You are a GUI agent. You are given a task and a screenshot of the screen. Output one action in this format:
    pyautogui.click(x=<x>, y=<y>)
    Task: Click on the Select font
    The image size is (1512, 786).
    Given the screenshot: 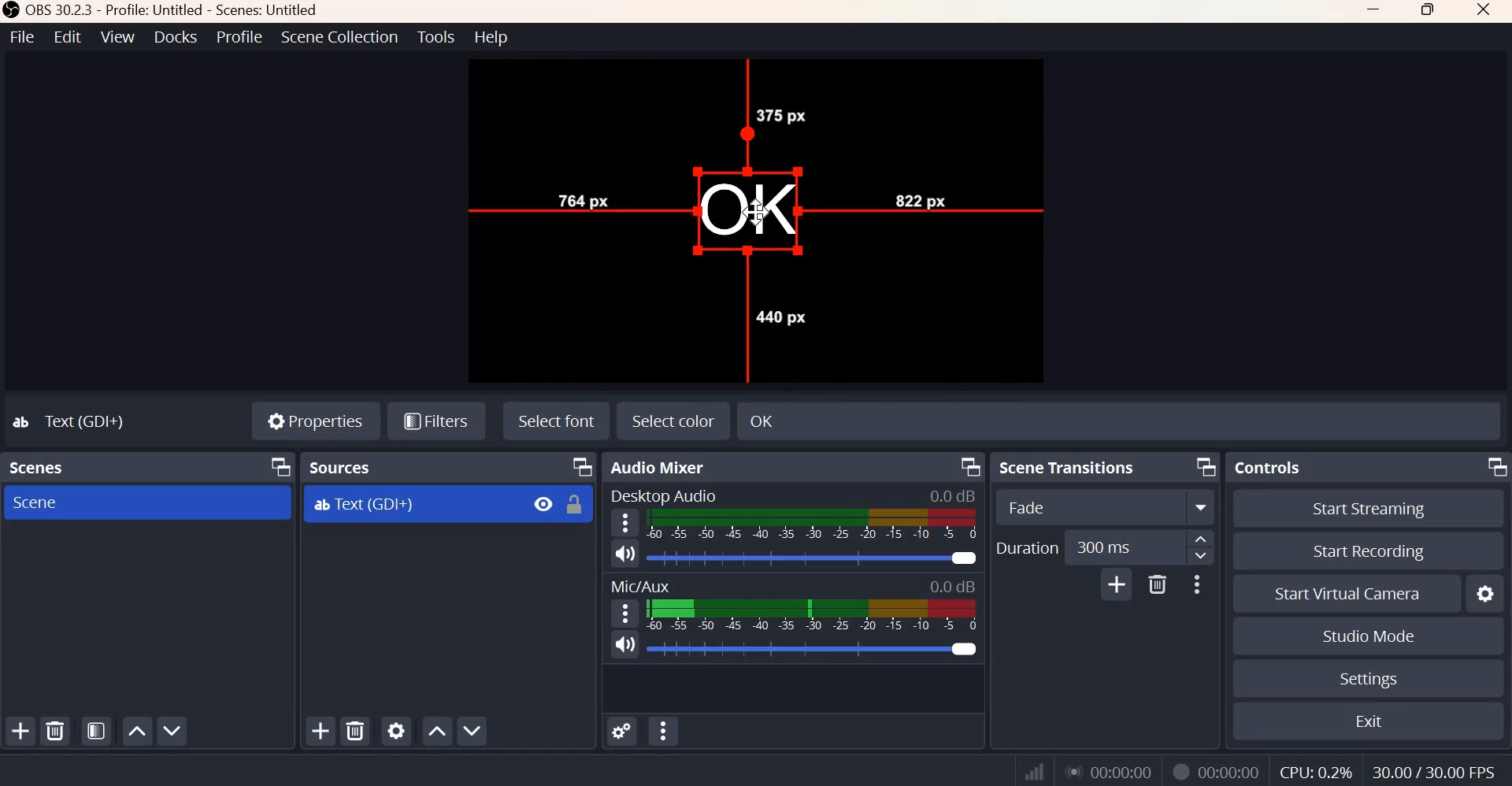 What is the action you would take?
    pyautogui.click(x=557, y=420)
    